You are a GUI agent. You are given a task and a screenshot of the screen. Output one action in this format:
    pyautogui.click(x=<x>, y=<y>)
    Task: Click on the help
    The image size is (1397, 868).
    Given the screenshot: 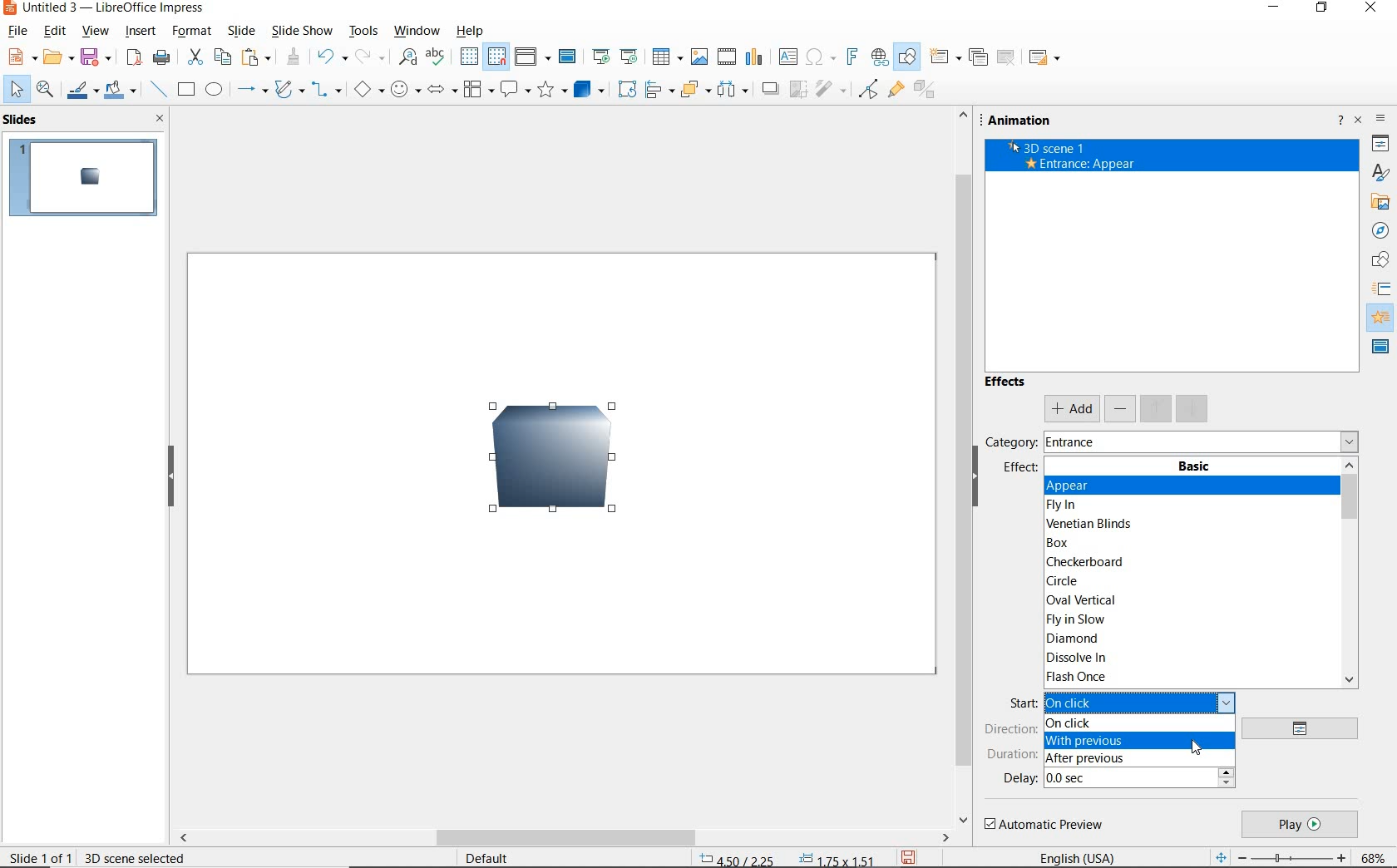 What is the action you would take?
    pyautogui.click(x=467, y=32)
    